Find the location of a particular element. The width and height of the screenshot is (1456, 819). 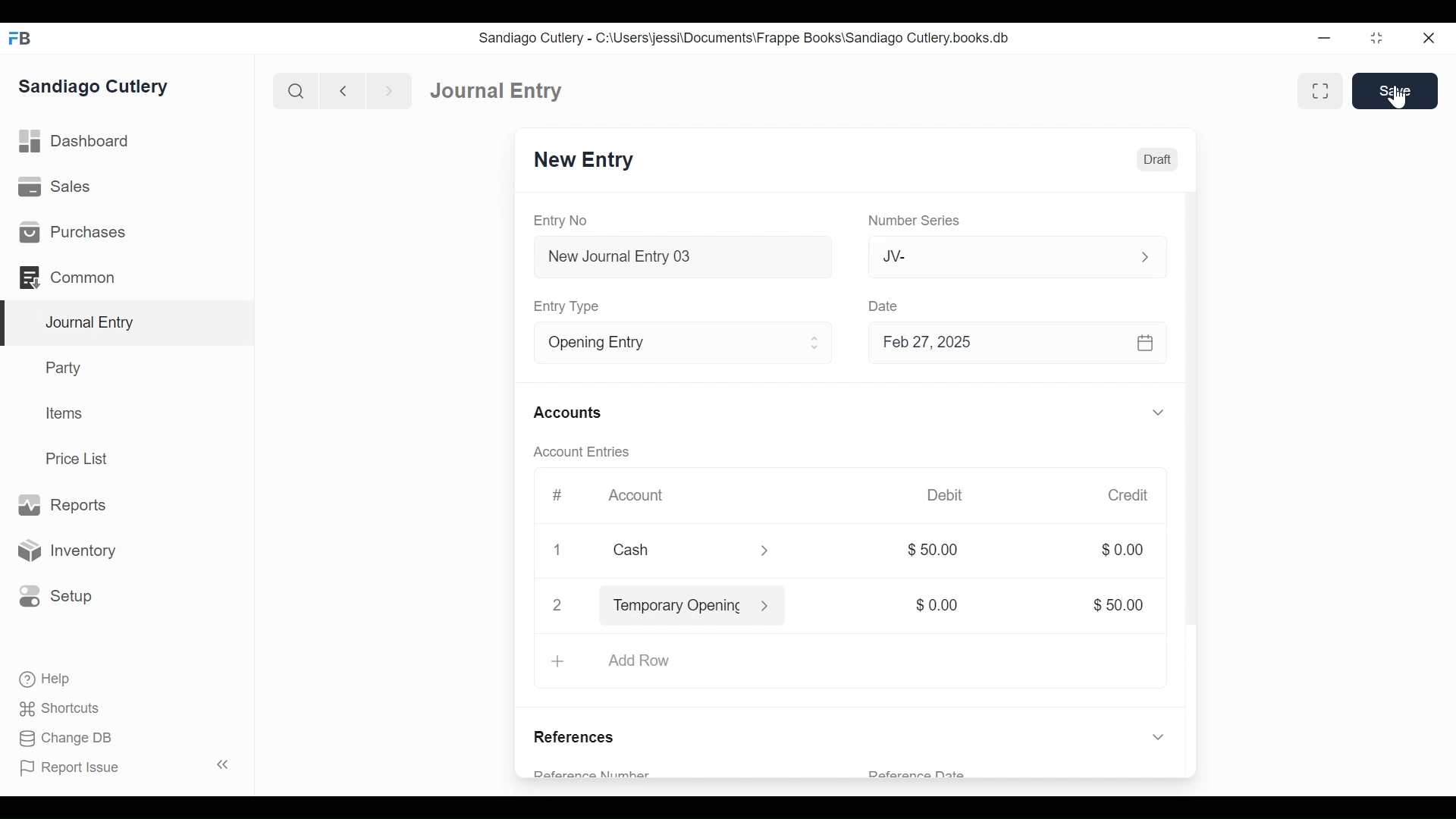

$50.00 is located at coordinates (940, 550).